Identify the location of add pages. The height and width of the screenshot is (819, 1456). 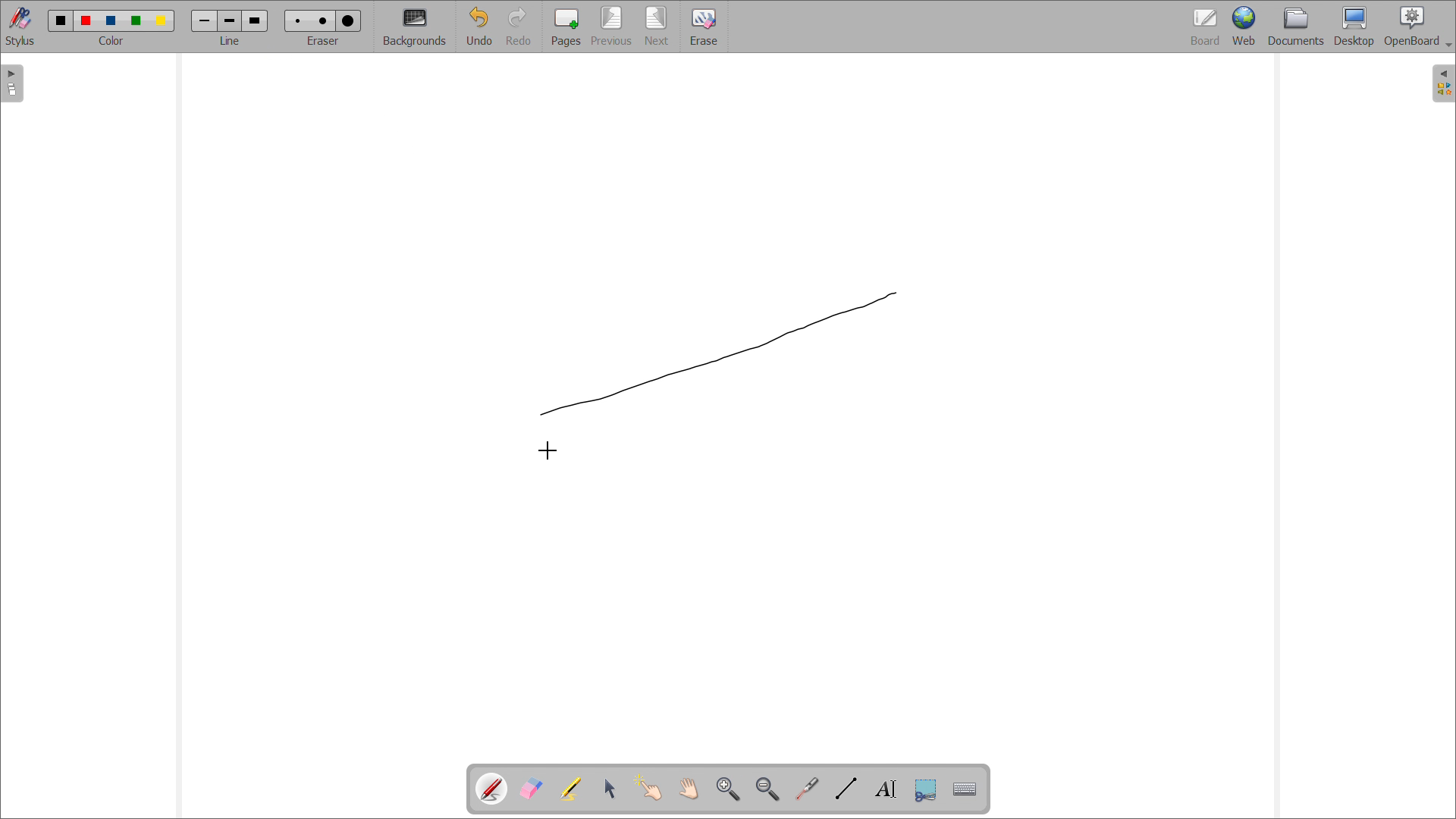
(566, 27).